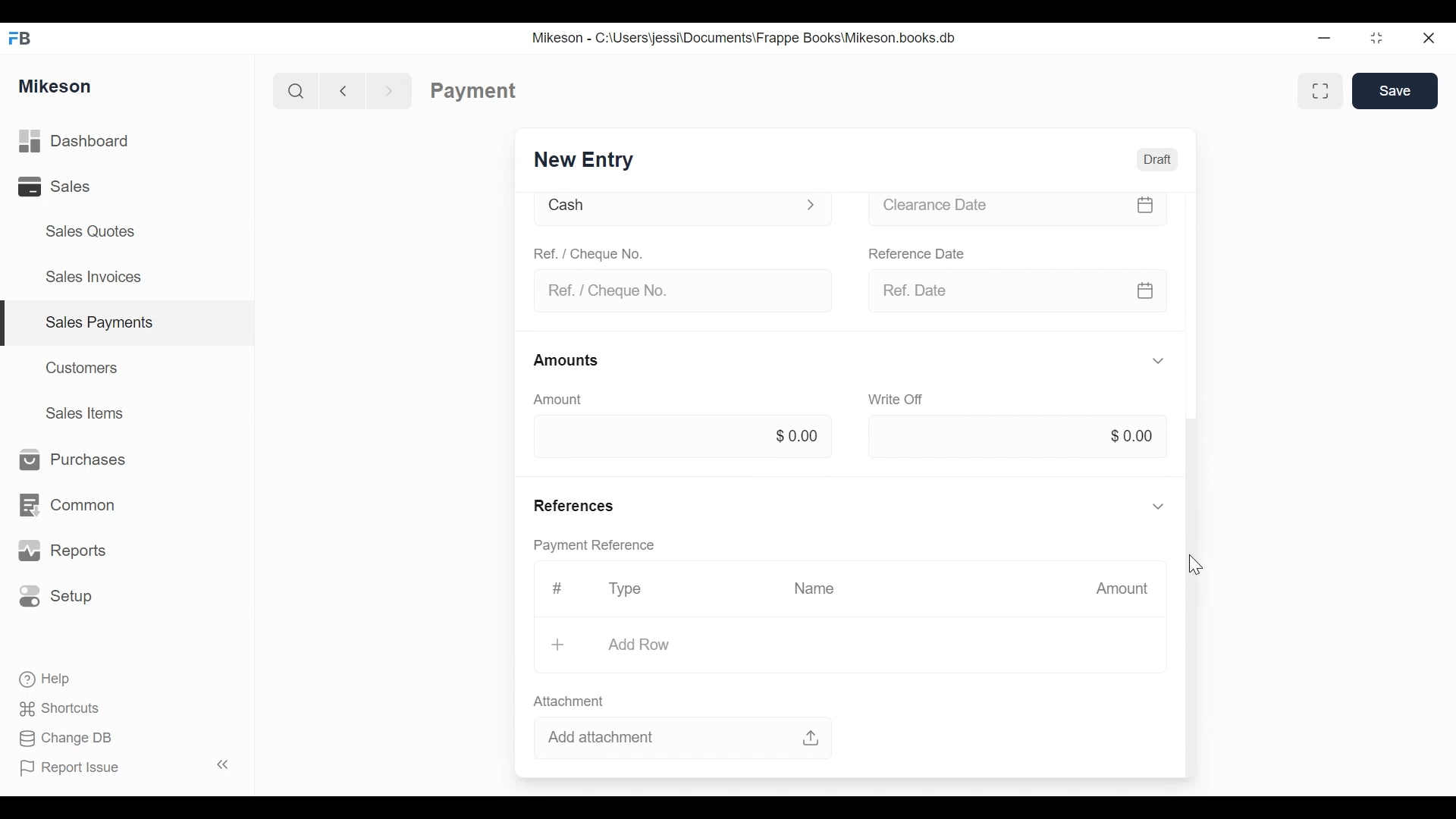  What do you see at coordinates (557, 398) in the screenshot?
I see `amount` at bounding box center [557, 398].